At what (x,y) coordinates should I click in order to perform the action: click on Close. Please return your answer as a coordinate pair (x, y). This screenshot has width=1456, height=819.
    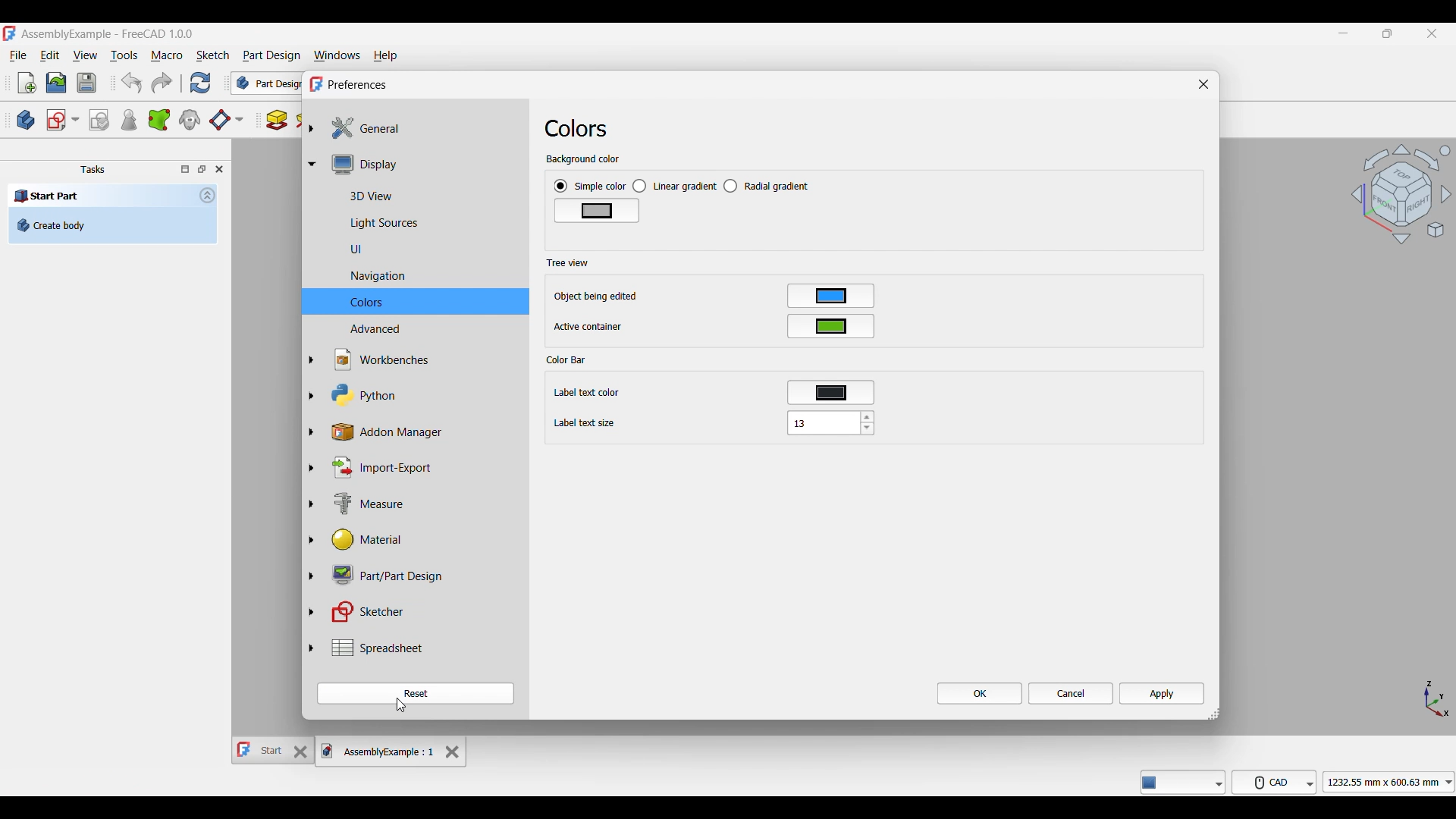
    Looking at the image, I should click on (218, 169).